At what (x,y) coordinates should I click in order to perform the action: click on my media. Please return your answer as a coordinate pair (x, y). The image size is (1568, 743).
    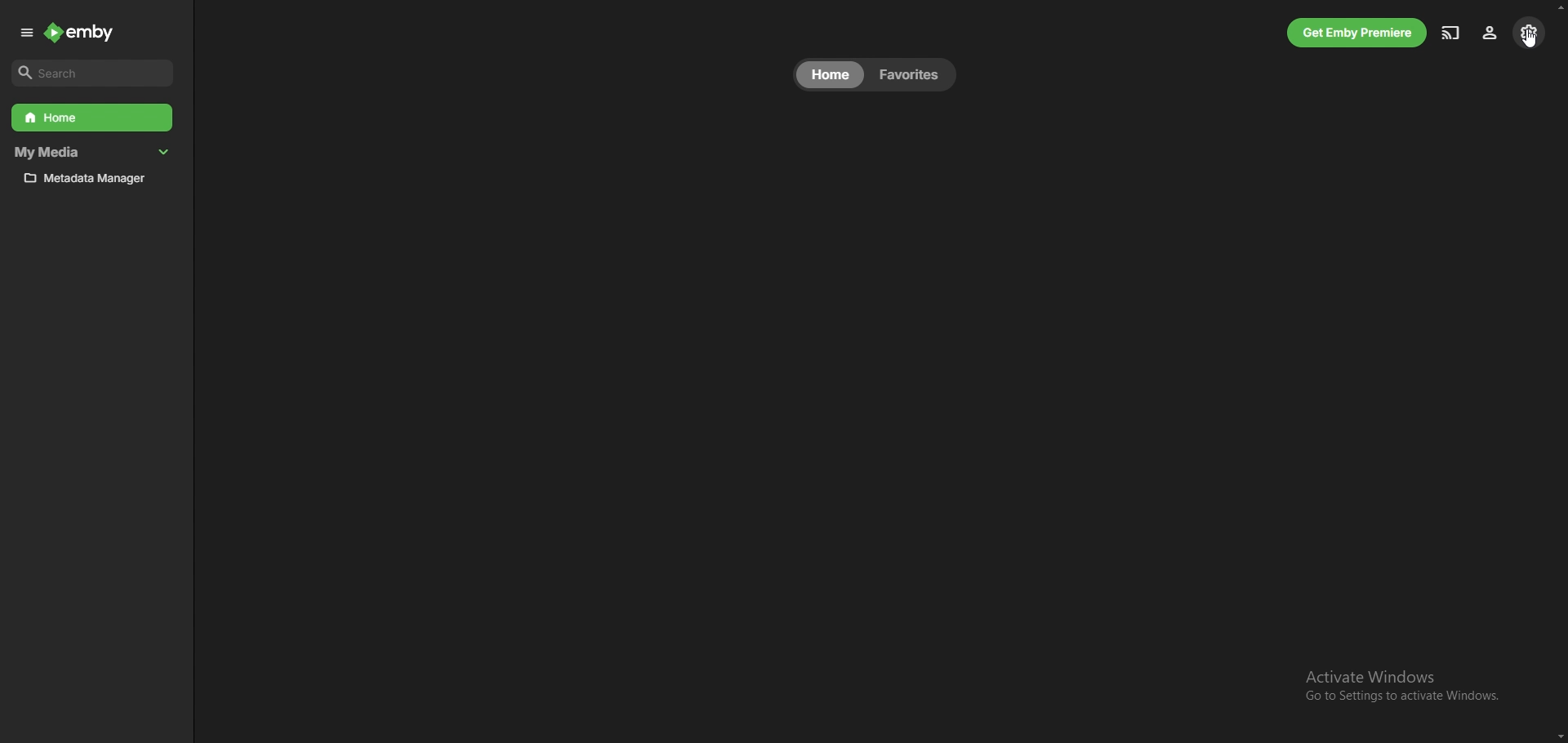
    Looking at the image, I should click on (96, 153).